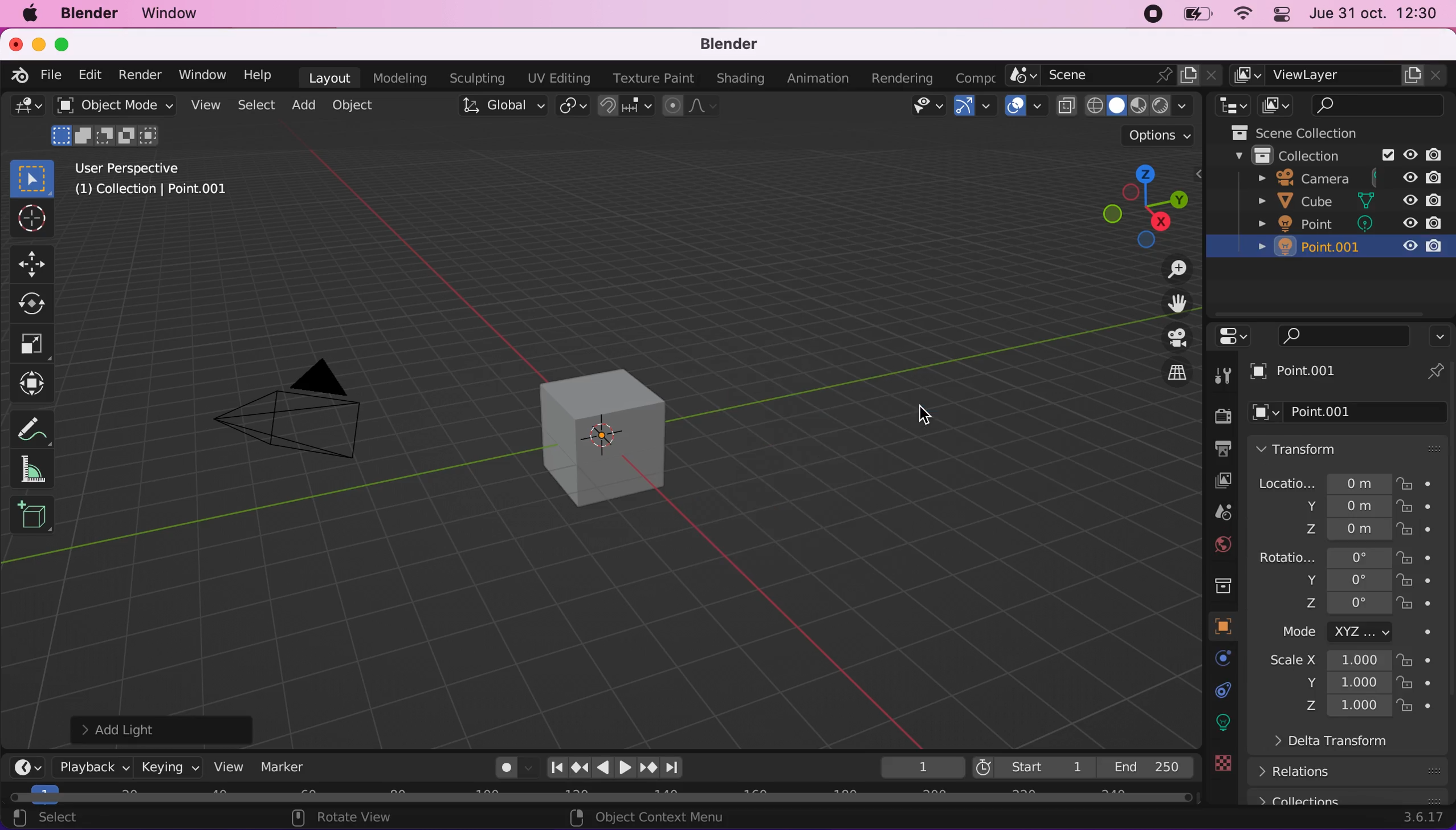 The height and width of the screenshot is (830, 1456). Describe the element at coordinates (170, 766) in the screenshot. I see `keying` at that location.